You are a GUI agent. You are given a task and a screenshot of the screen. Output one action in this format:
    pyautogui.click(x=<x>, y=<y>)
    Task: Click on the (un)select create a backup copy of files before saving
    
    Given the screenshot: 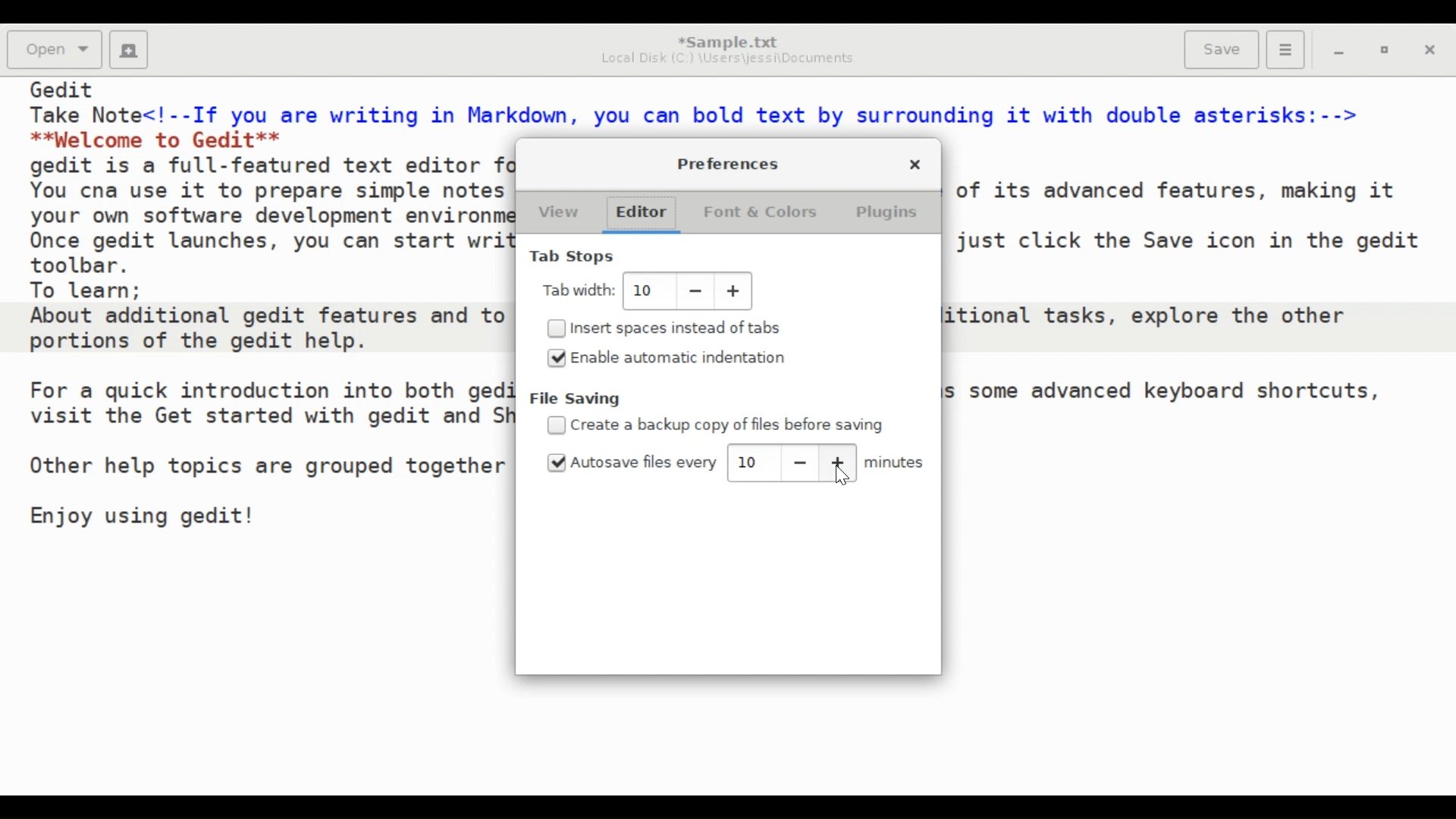 What is the action you would take?
    pyautogui.click(x=717, y=425)
    